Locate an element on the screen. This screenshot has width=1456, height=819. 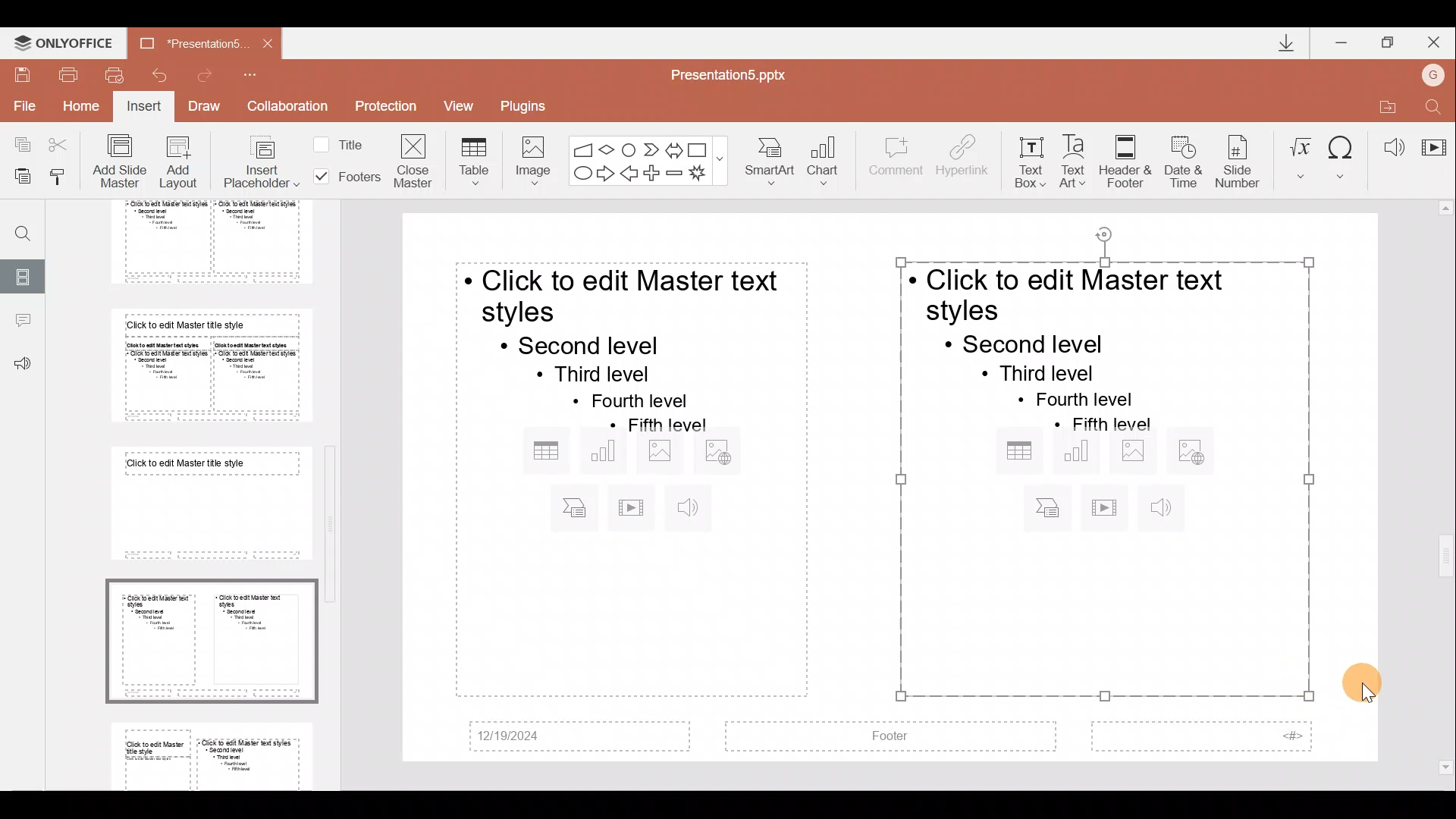
SmartArt is located at coordinates (773, 162).